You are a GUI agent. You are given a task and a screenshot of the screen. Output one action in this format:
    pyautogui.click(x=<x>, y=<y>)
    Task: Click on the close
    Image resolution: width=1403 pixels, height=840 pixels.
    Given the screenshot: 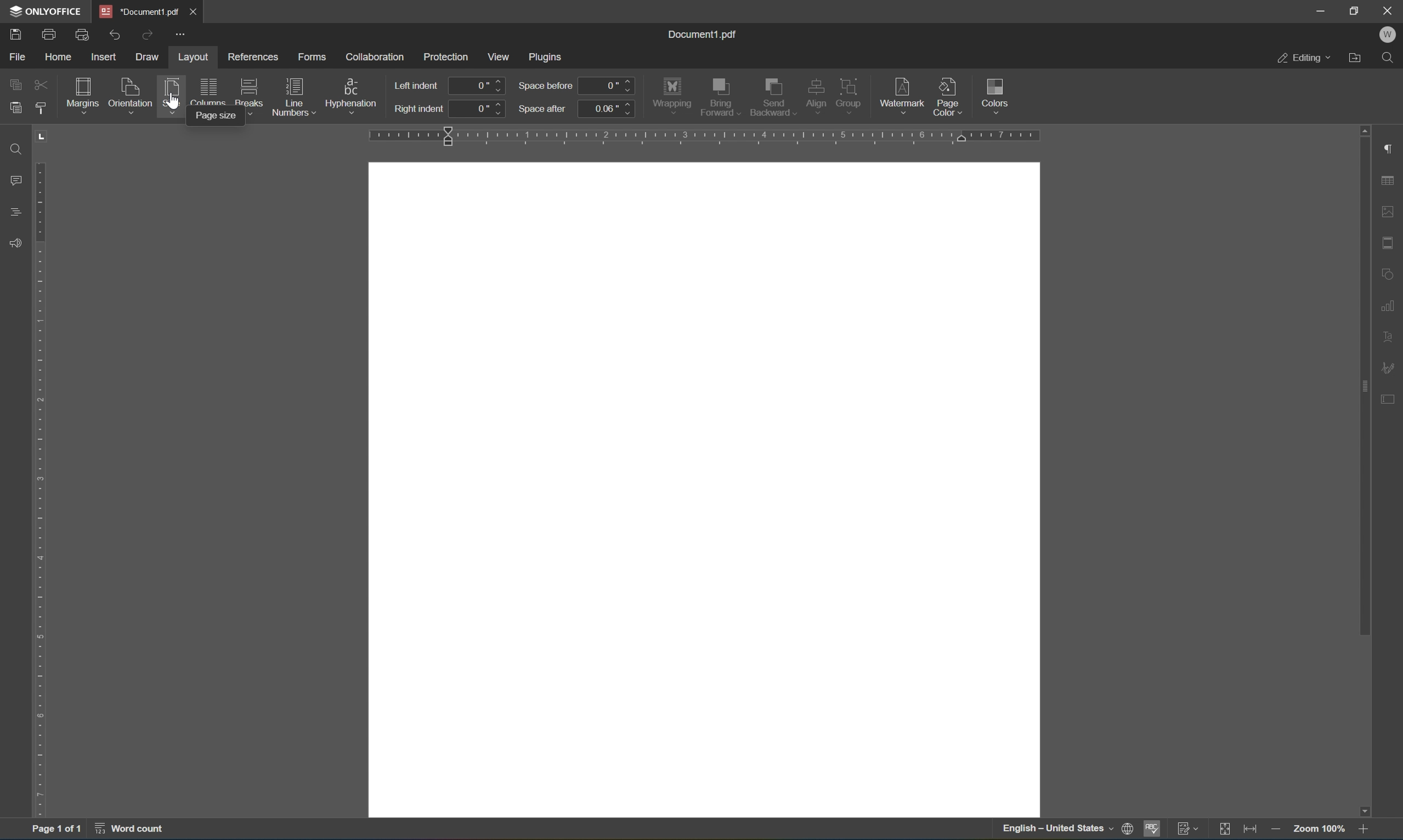 What is the action you would take?
    pyautogui.click(x=198, y=10)
    